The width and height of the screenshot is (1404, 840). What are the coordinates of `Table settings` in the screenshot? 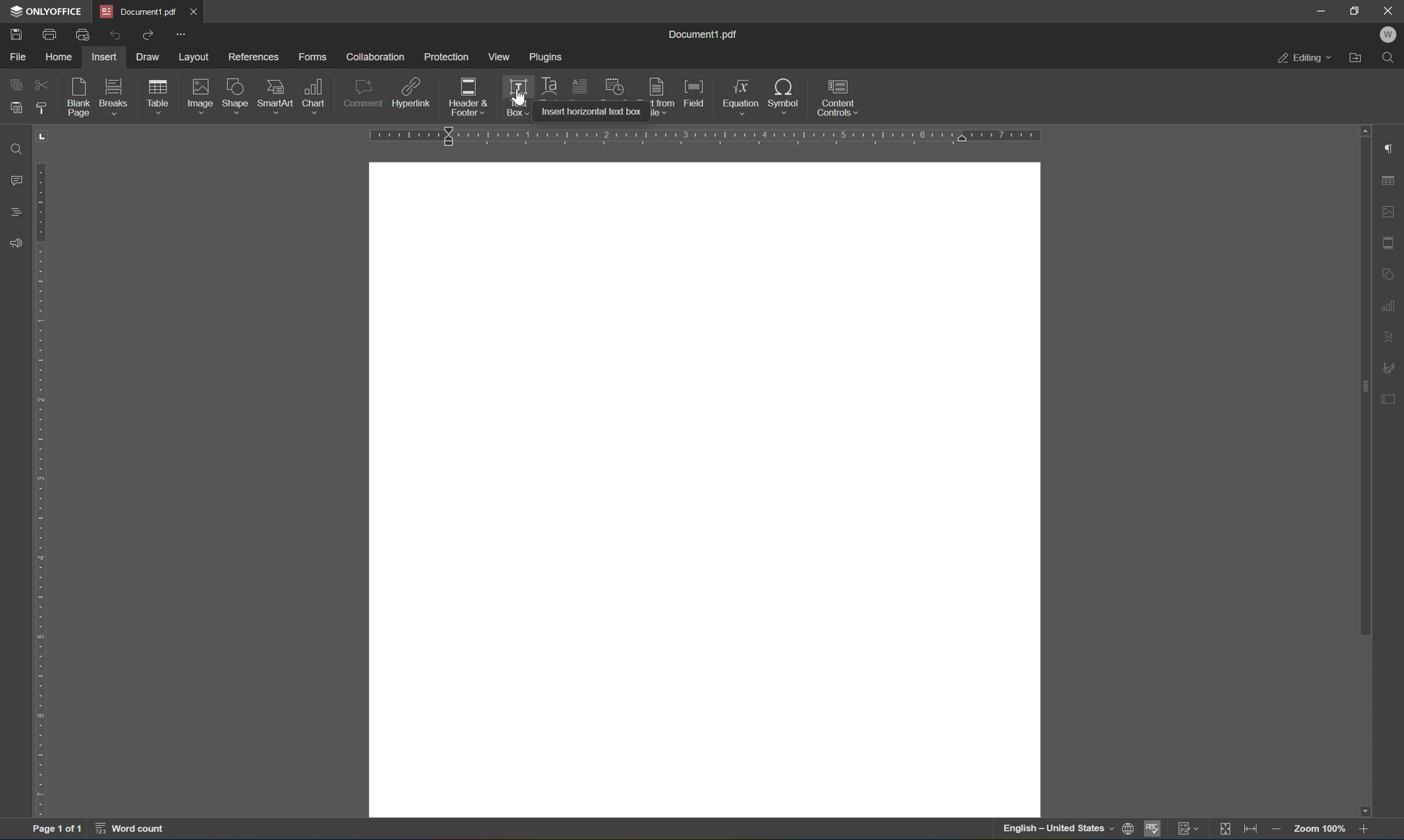 It's located at (1389, 181).